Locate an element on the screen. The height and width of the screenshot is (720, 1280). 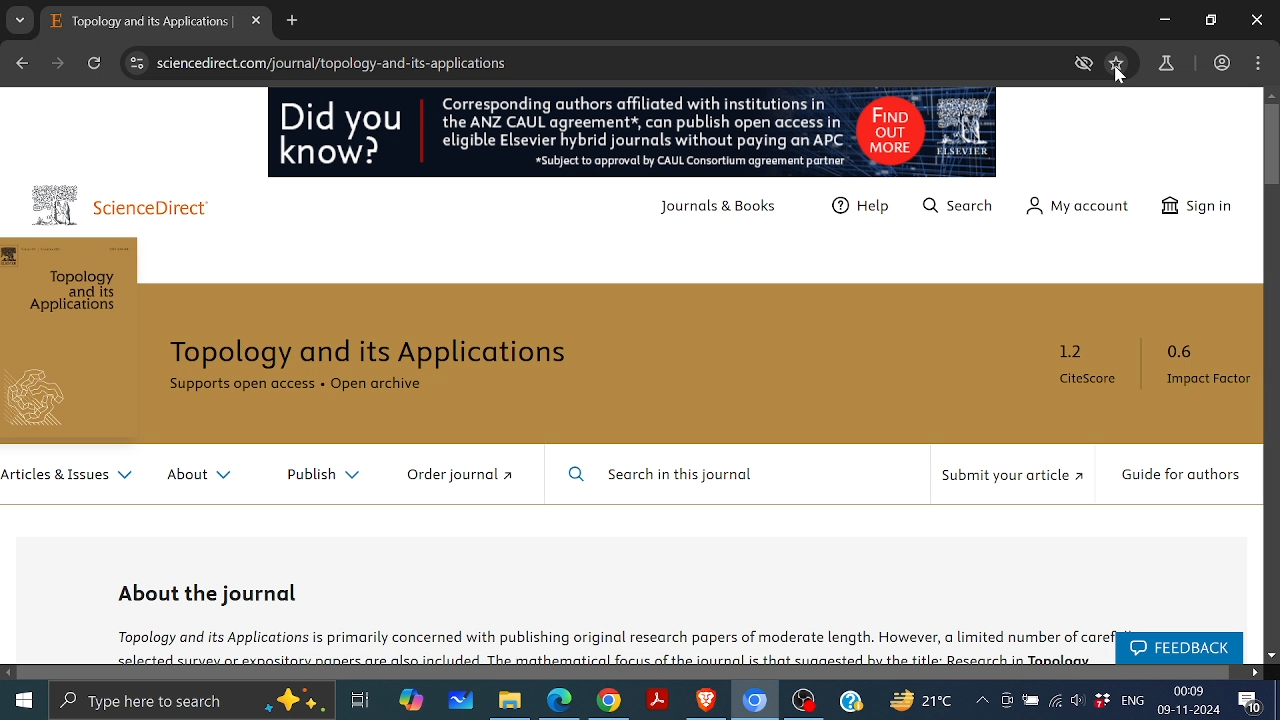
Labs is located at coordinates (1168, 64).